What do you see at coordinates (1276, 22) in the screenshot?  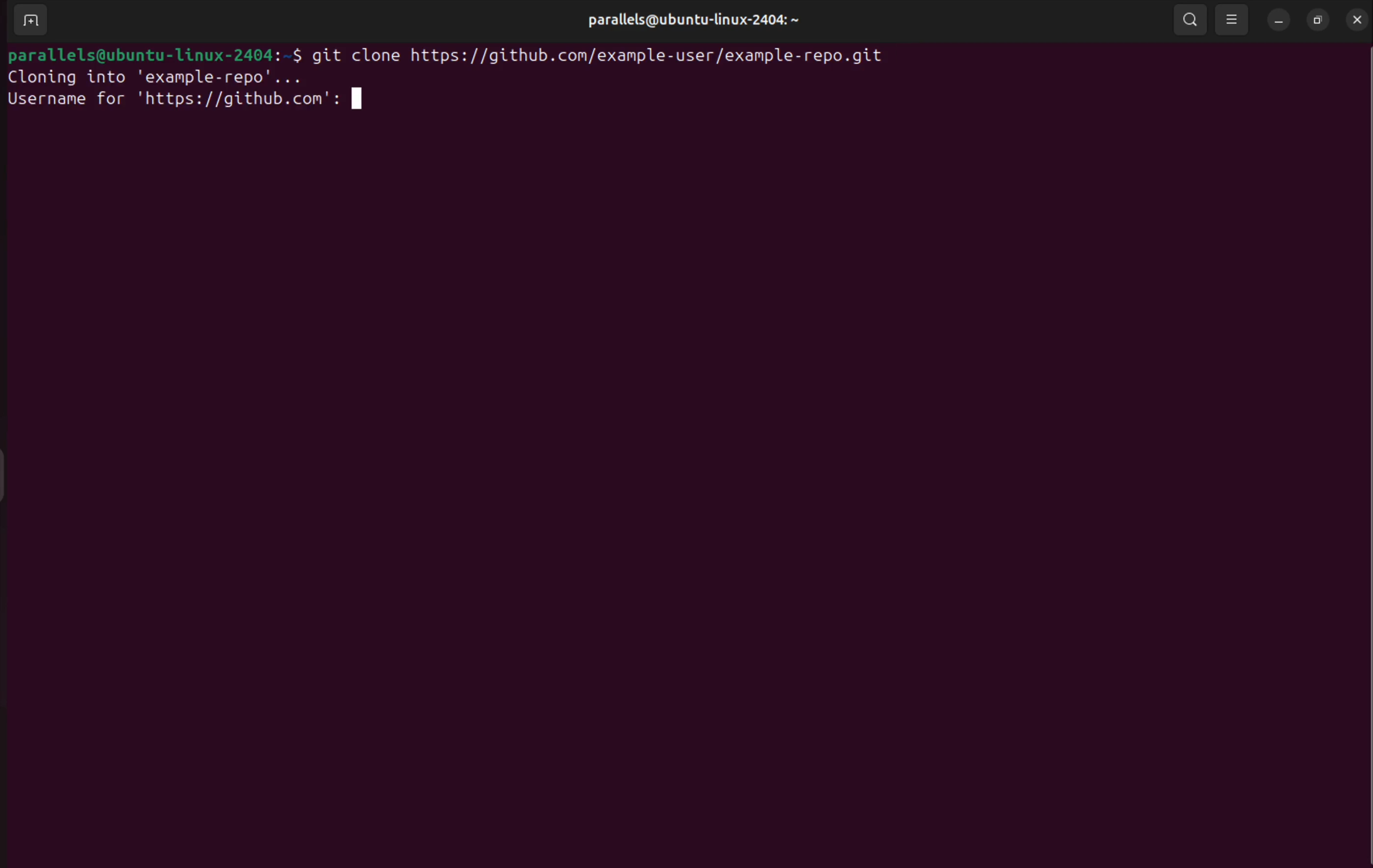 I see `minimum` at bounding box center [1276, 22].